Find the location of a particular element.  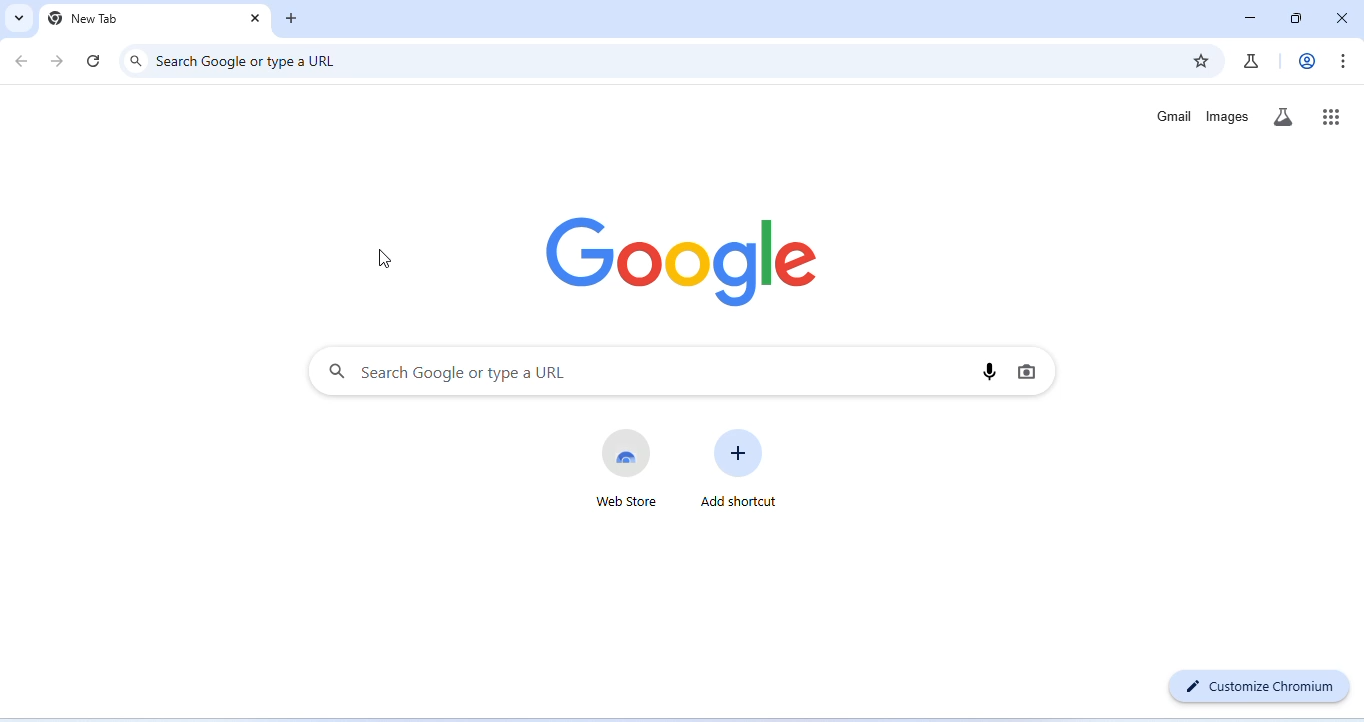

maximize is located at coordinates (1295, 19).